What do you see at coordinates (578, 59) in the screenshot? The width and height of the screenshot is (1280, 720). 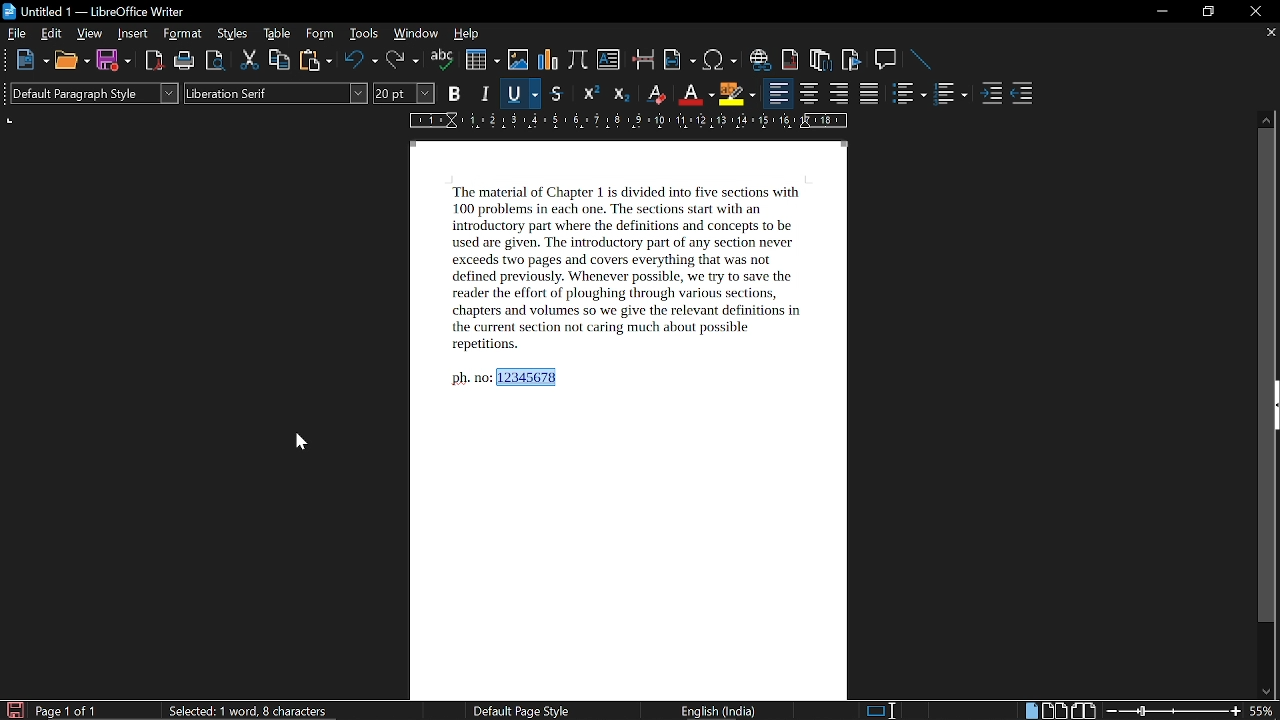 I see `insert formula` at bounding box center [578, 59].